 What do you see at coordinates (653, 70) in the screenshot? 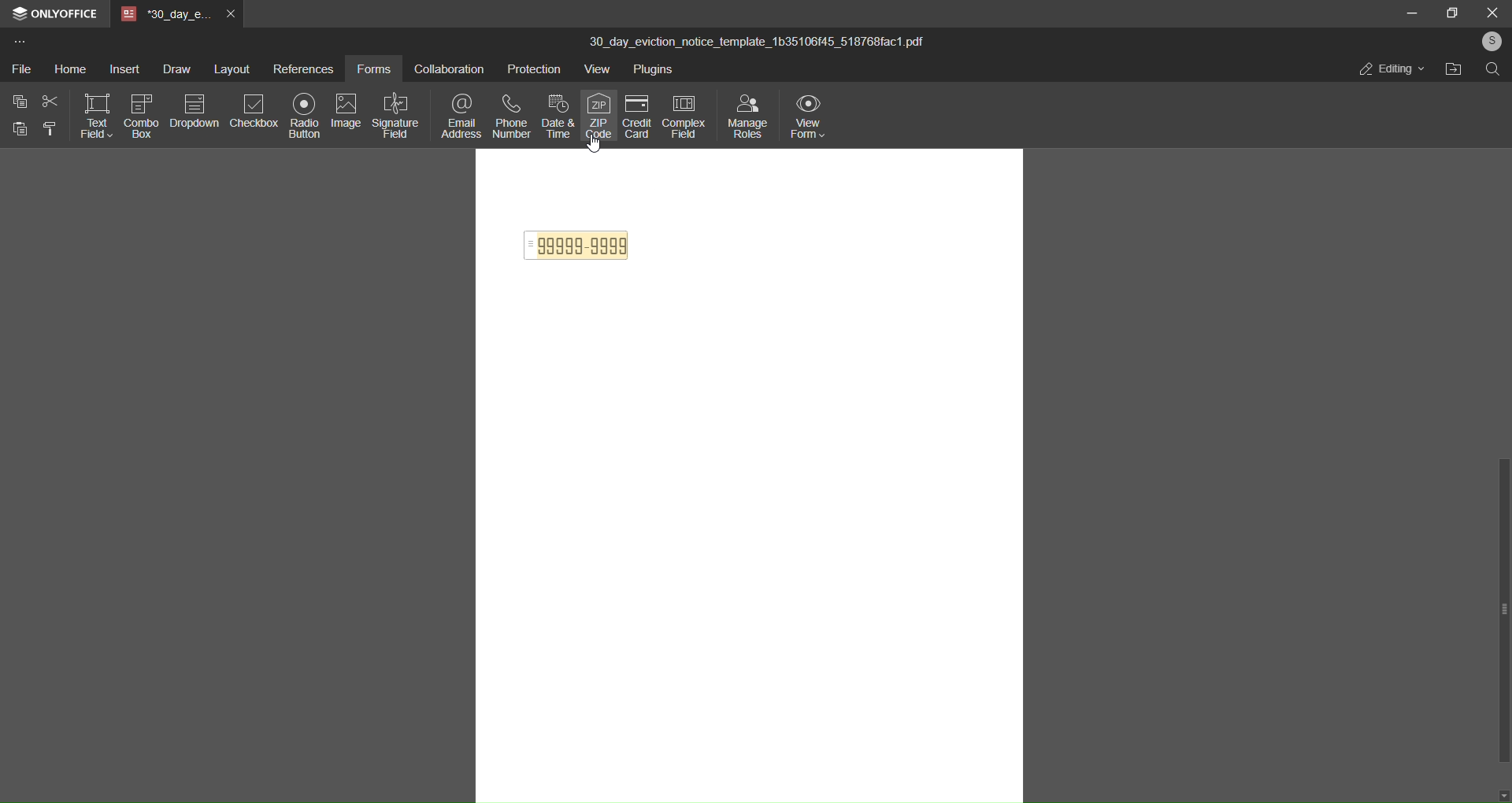
I see `plugins` at bounding box center [653, 70].